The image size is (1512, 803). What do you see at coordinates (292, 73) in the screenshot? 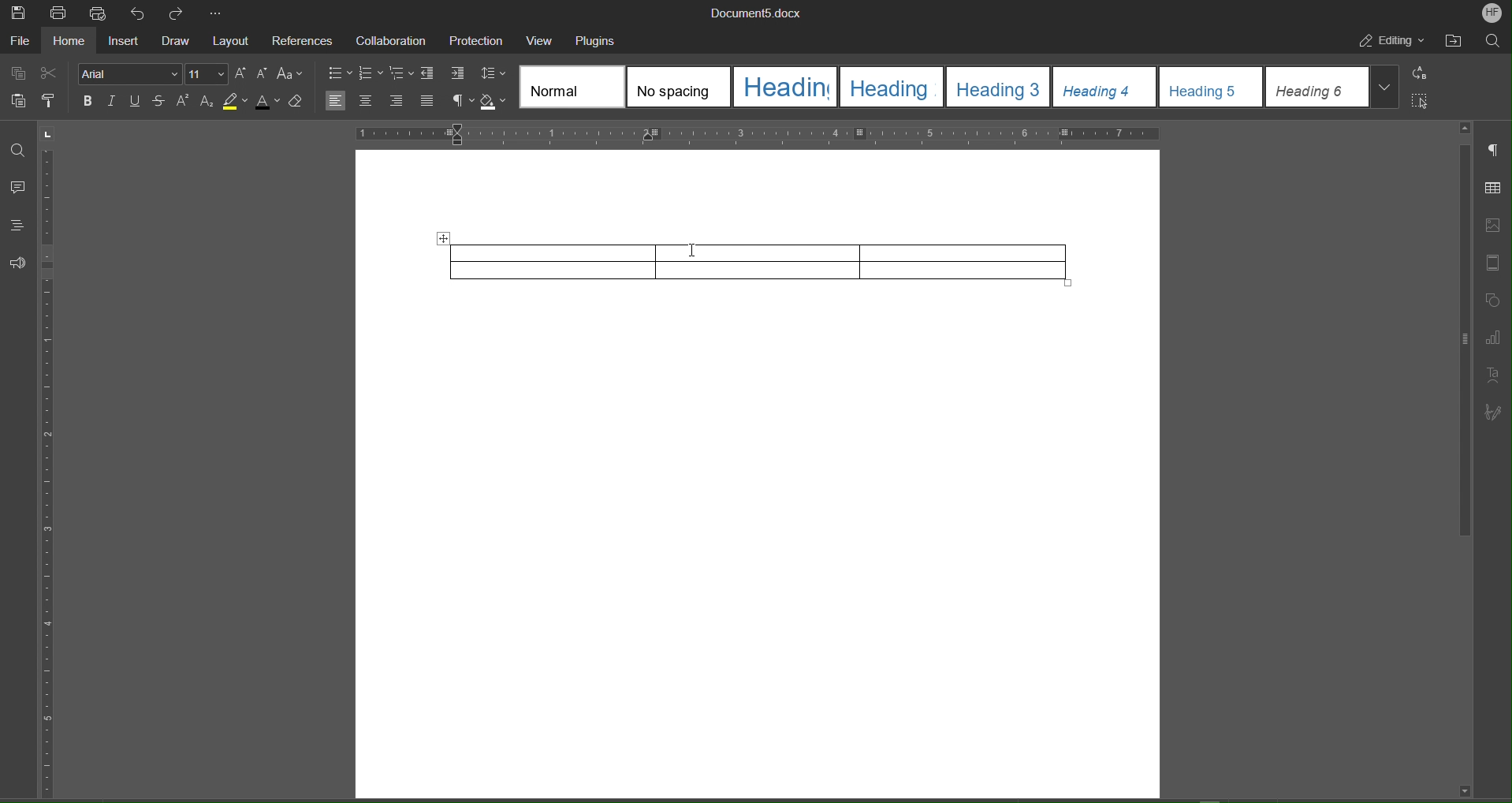
I see `Text Case Settings` at bounding box center [292, 73].